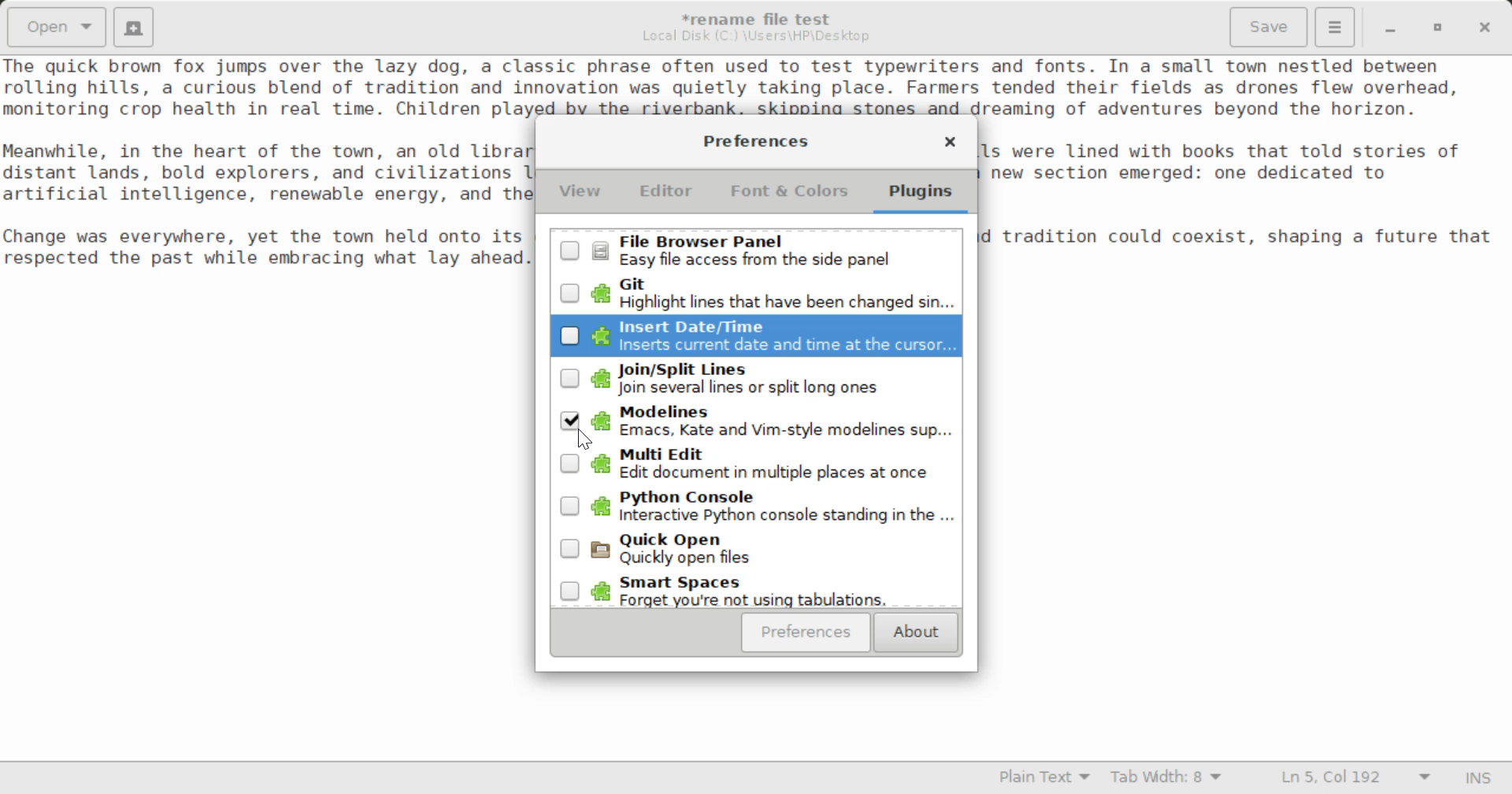 The image size is (1512, 794). I want to click on View Tab, so click(580, 195).